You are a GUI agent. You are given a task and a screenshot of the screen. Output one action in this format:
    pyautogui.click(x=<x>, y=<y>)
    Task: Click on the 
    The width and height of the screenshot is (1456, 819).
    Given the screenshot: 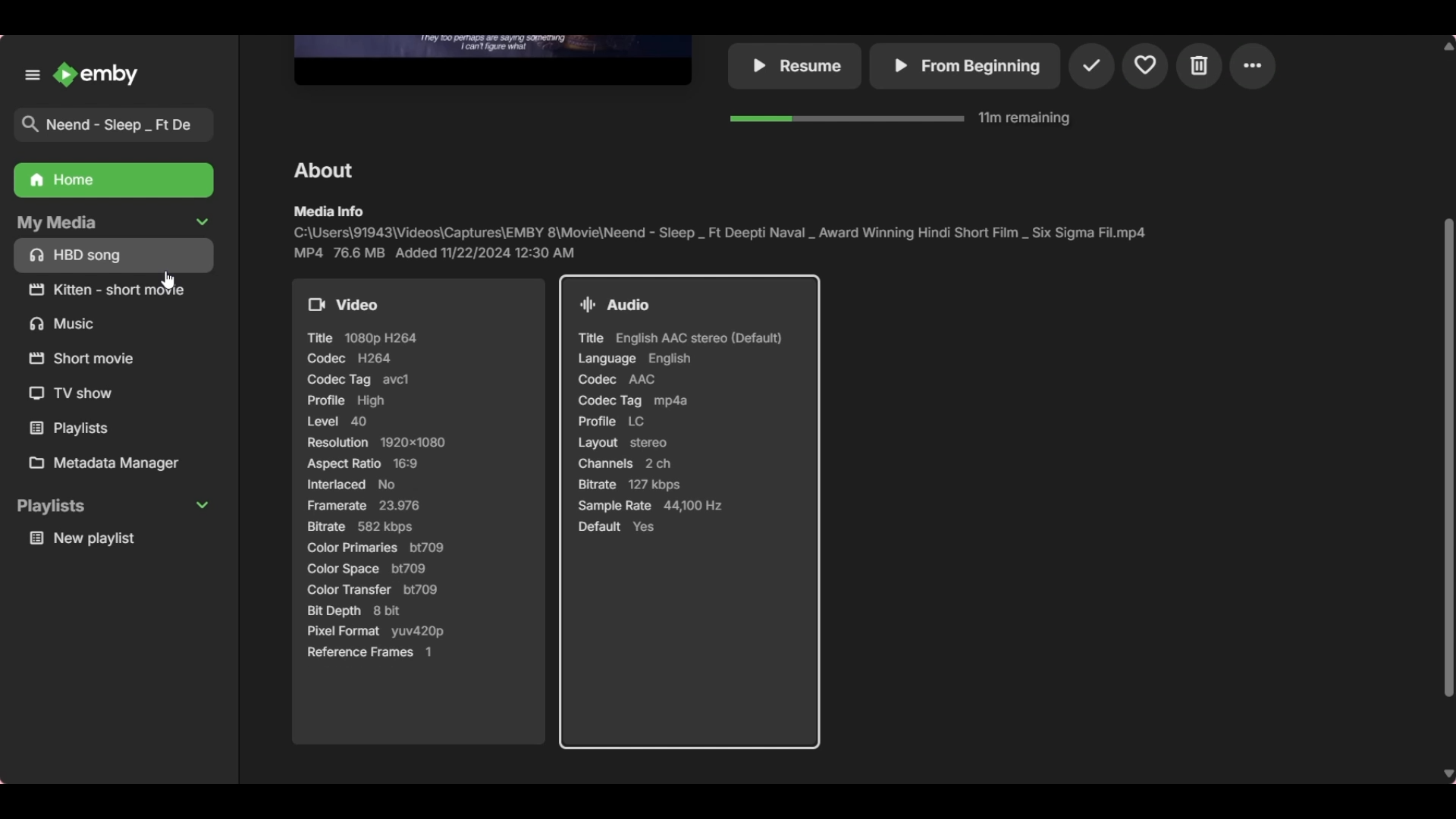 What is the action you would take?
    pyautogui.click(x=90, y=428)
    